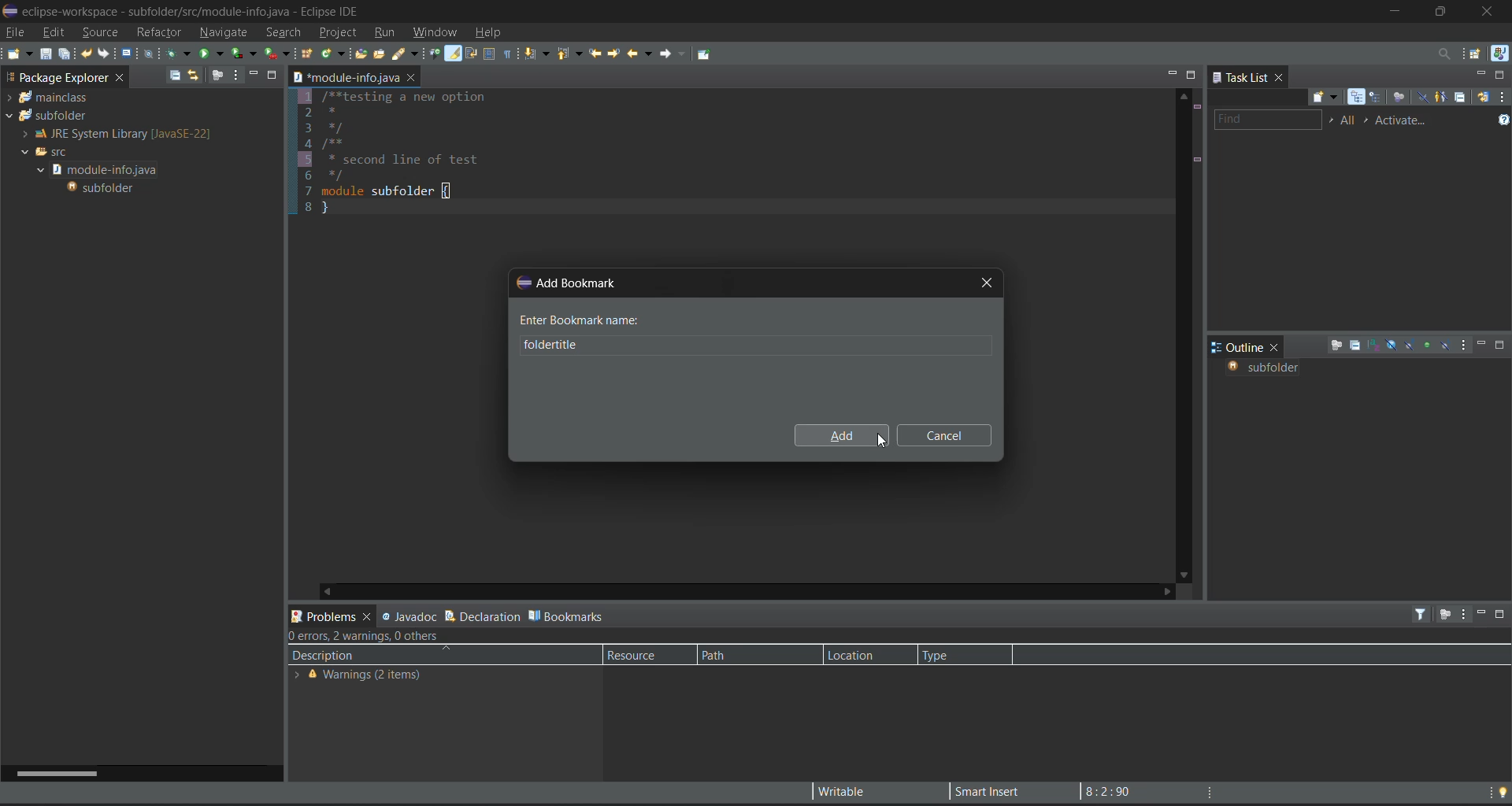 The width and height of the screenshot is (1512, 806). I want to click on window, so click(439, 31).